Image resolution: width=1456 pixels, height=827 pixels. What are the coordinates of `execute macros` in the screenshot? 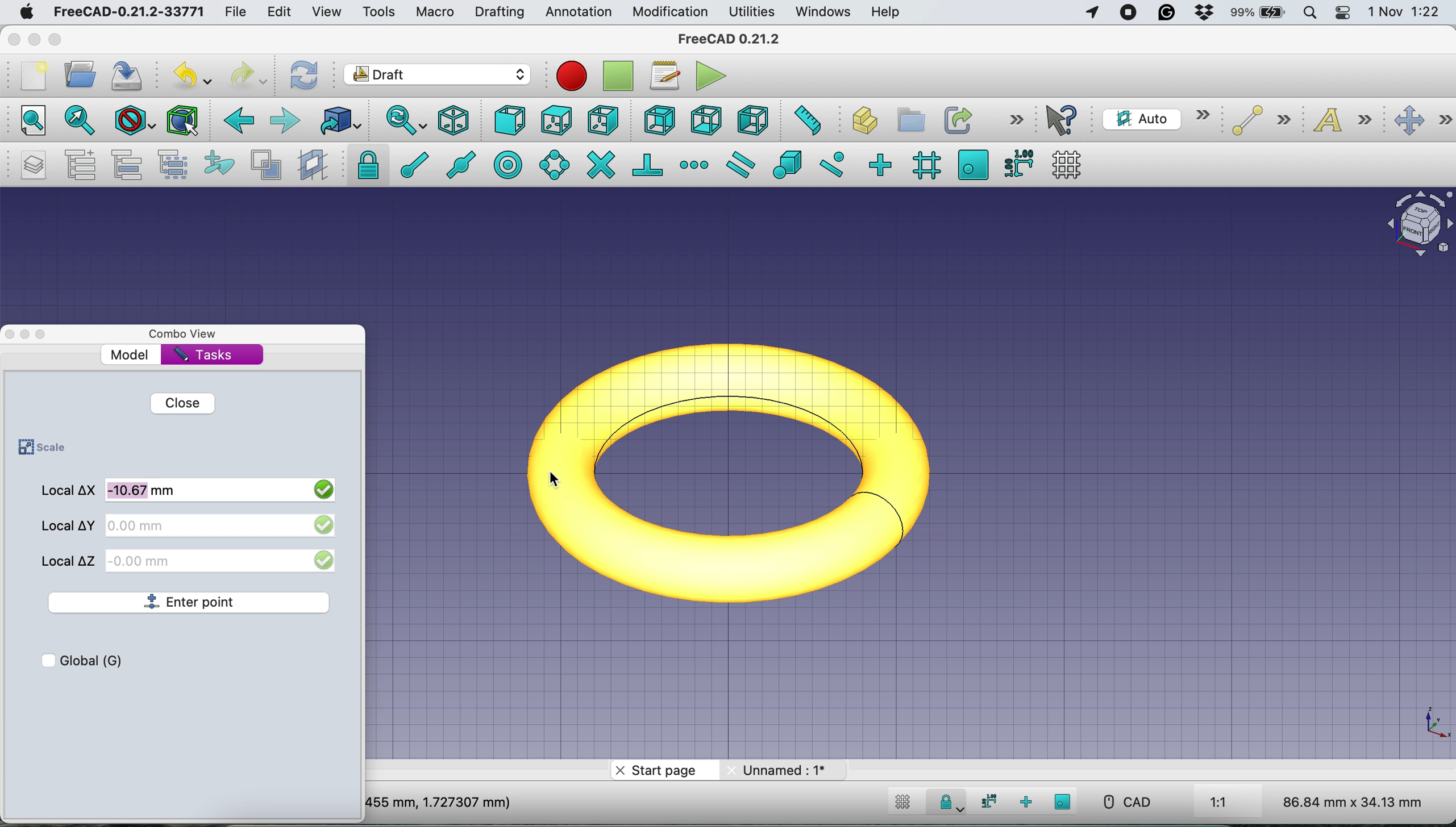 It's located at (712, 77).